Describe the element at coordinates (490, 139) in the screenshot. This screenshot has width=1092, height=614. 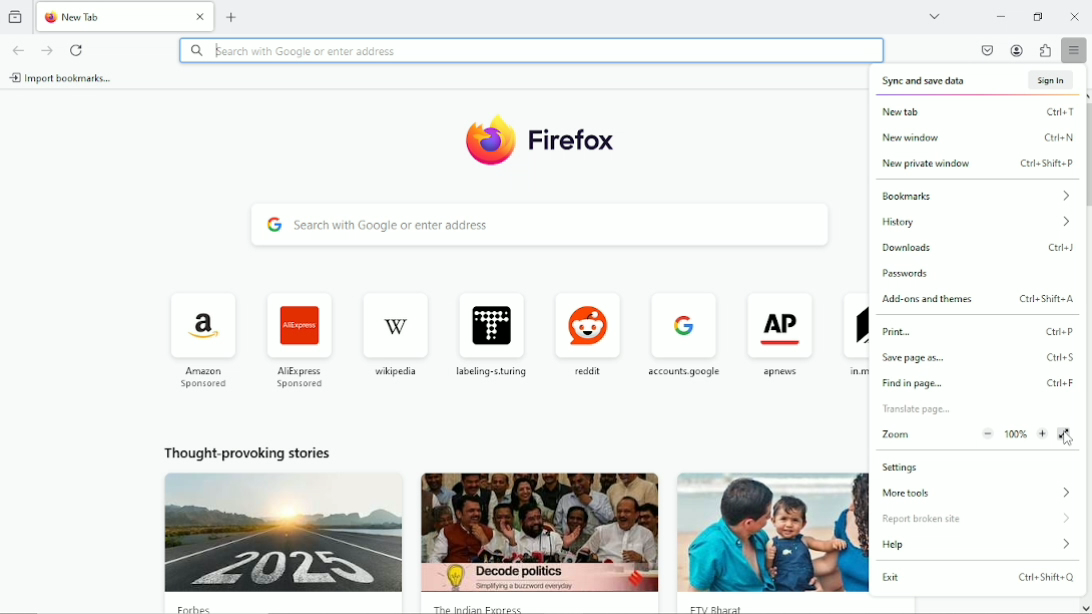
I see `firefox logo` at that location.